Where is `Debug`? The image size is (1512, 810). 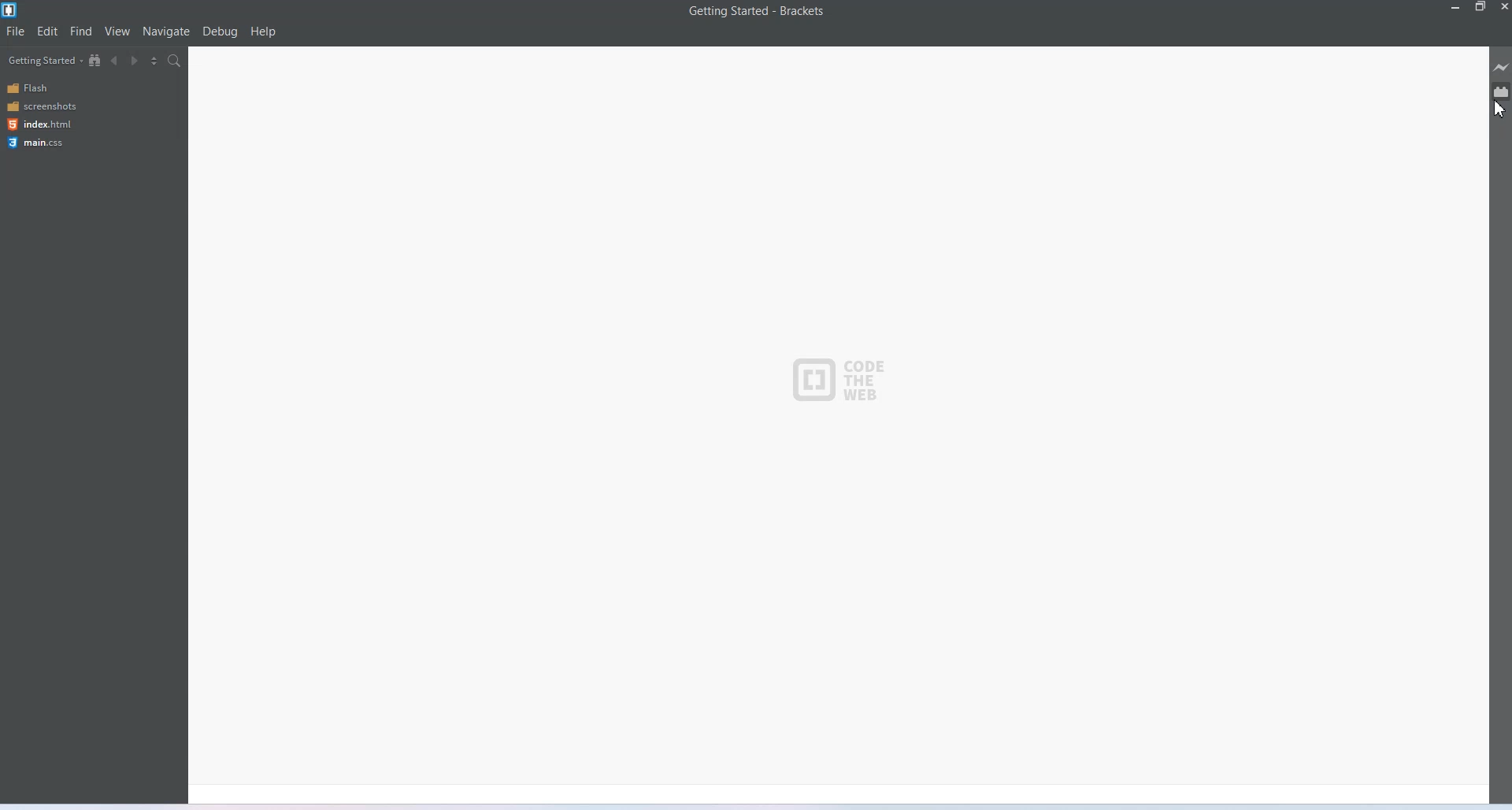 Debug is located at coordinates (220, 32).